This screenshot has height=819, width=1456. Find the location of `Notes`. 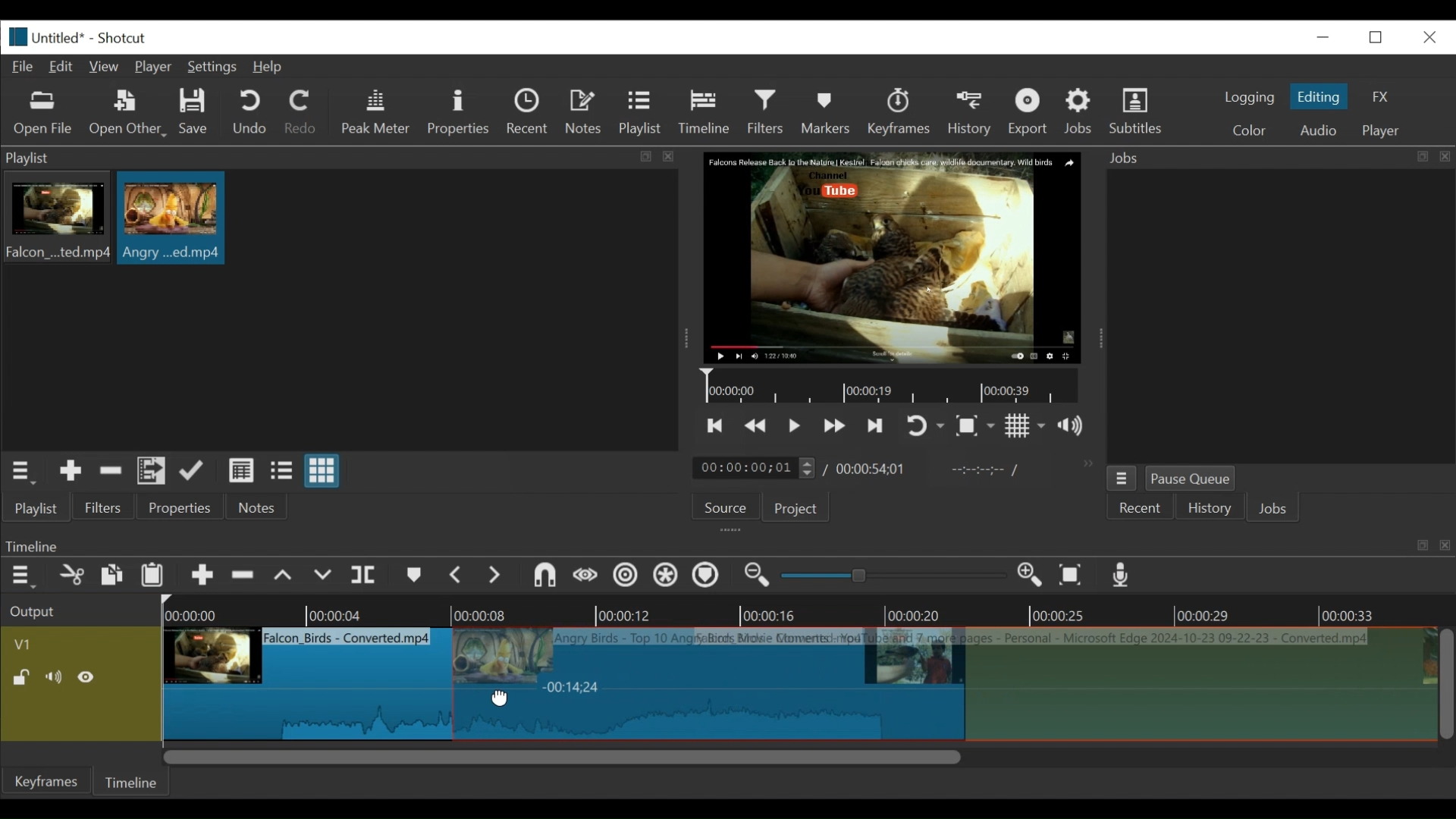

Notes is located at coordinates (257, 507).